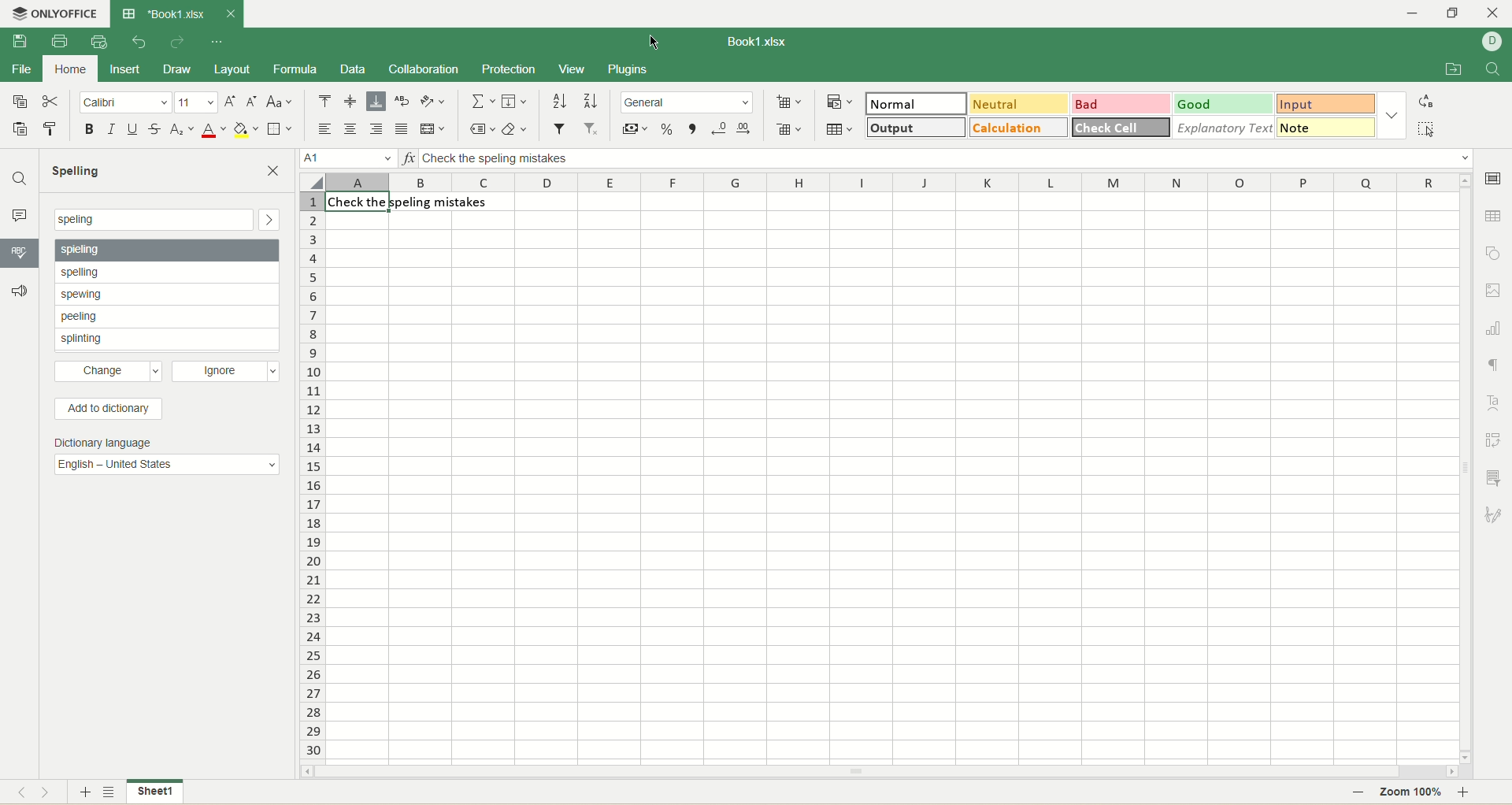 This screenshot has width=1512, height=805. What do you see at coordinates (1495, 179) in the screenshot?
I see `cell settings` at bounding box center [1495, 179].